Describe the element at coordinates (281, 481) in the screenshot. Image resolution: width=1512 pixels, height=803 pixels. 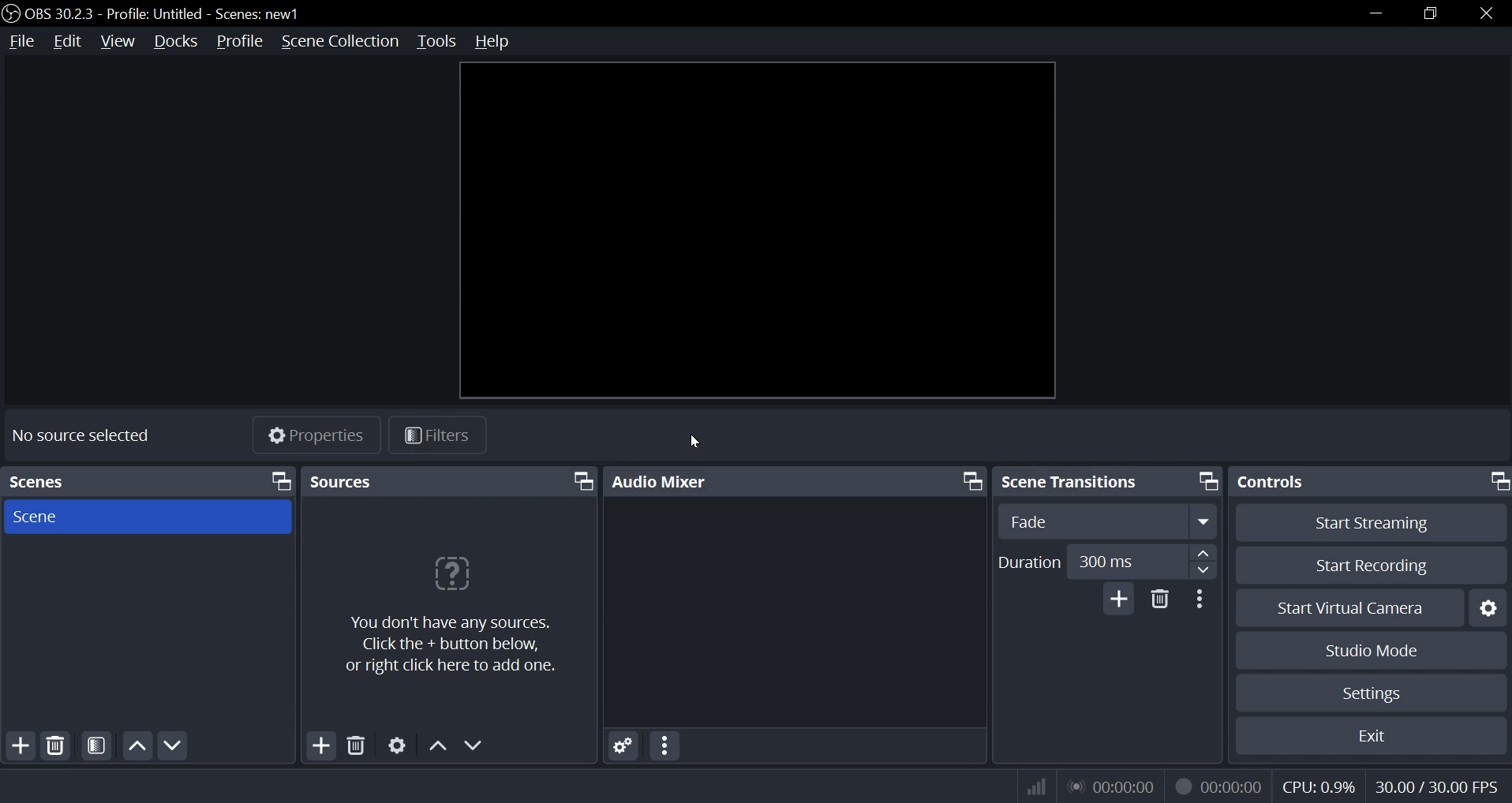
I see `bring front` at that location.